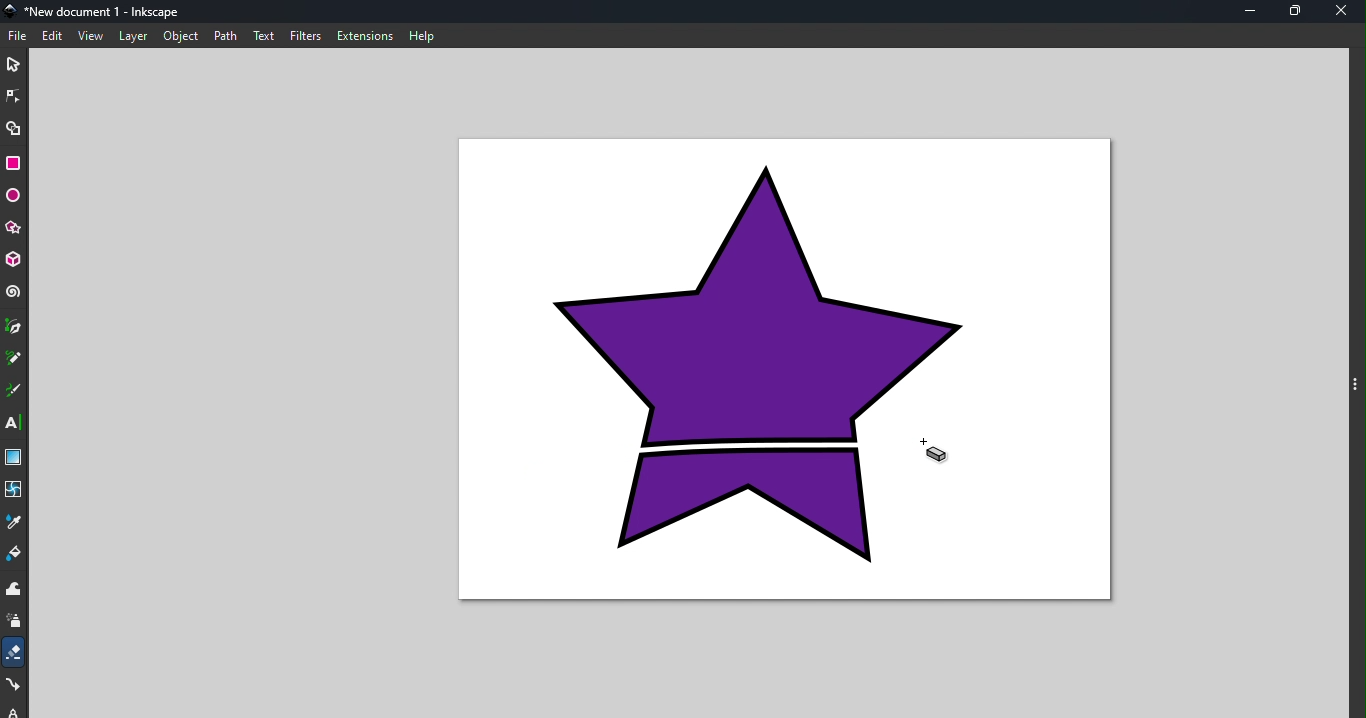 Image resolution: width=1366 pixels, height=718 pixels. I want to click on edit, so click(54, 36).